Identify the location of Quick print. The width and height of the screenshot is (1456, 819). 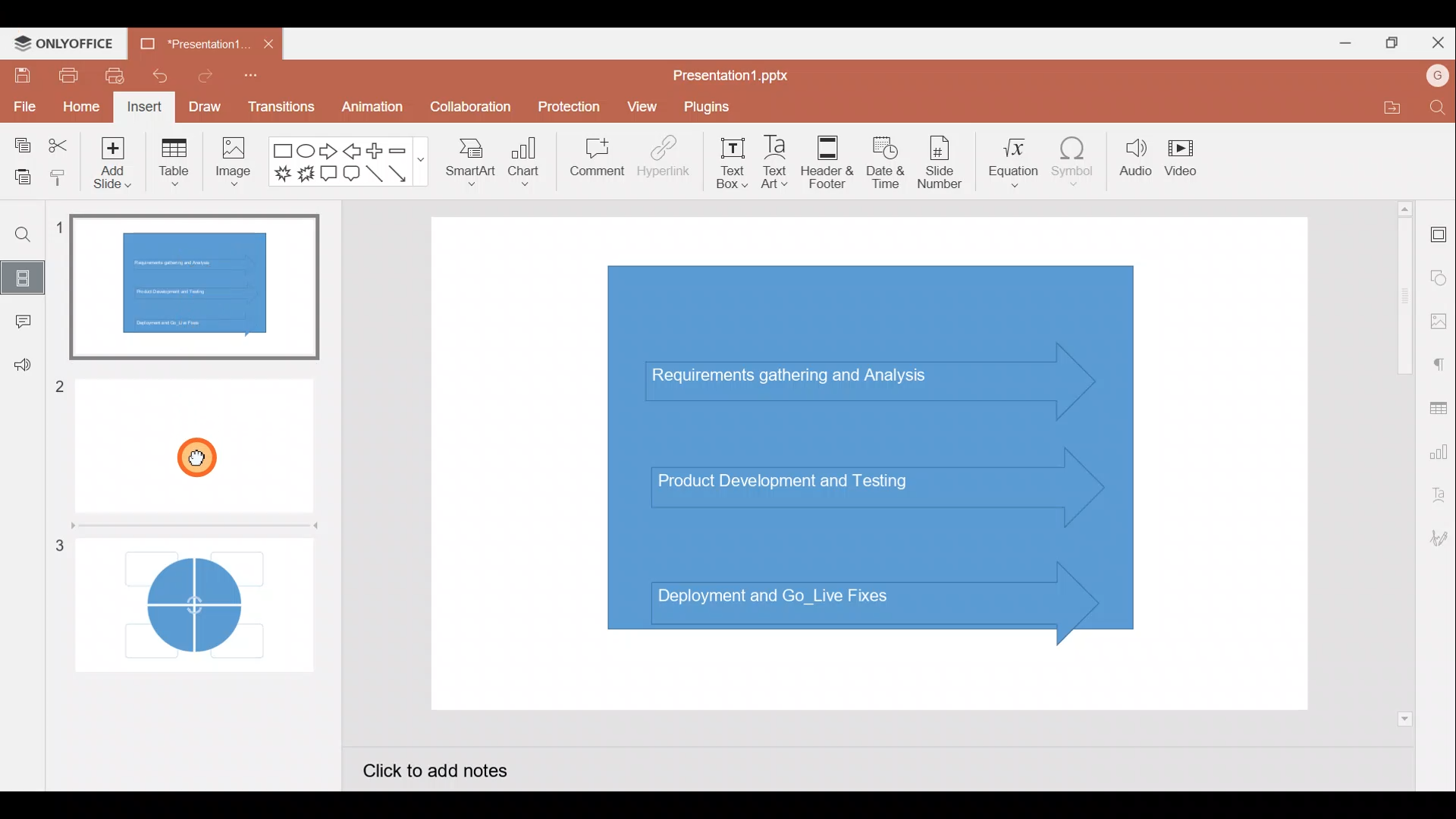
(115, 76).